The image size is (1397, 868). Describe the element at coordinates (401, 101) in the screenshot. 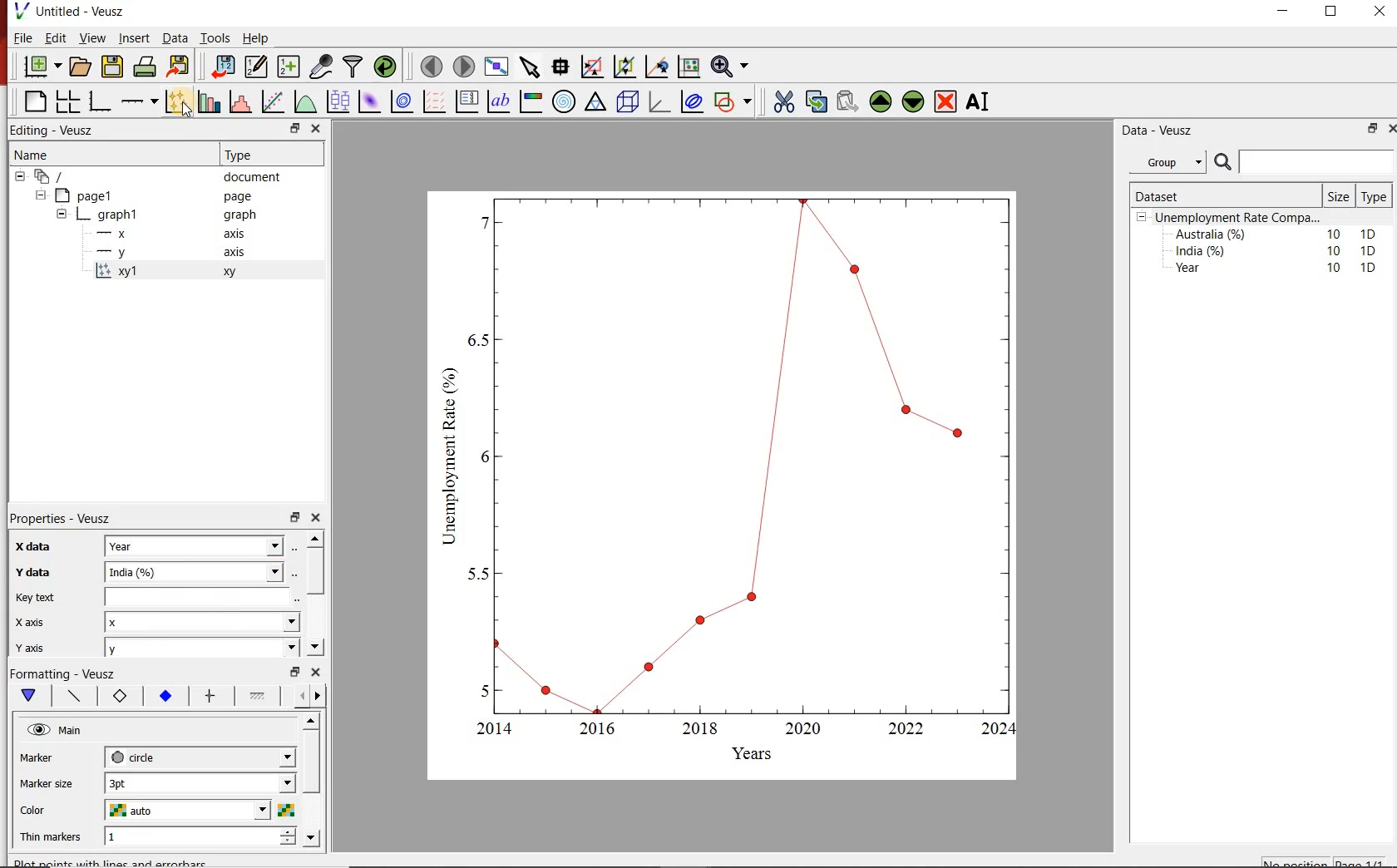

I see `plot 2d datasets as contours` at that location.